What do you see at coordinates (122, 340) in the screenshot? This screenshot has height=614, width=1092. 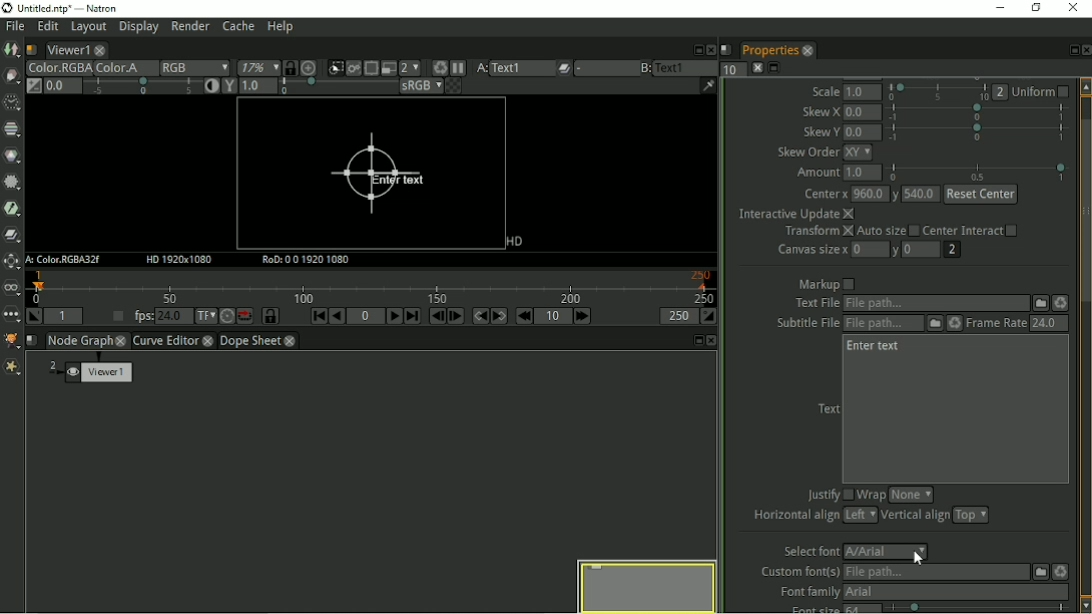 I see `close` at bounding box center [122, 340].